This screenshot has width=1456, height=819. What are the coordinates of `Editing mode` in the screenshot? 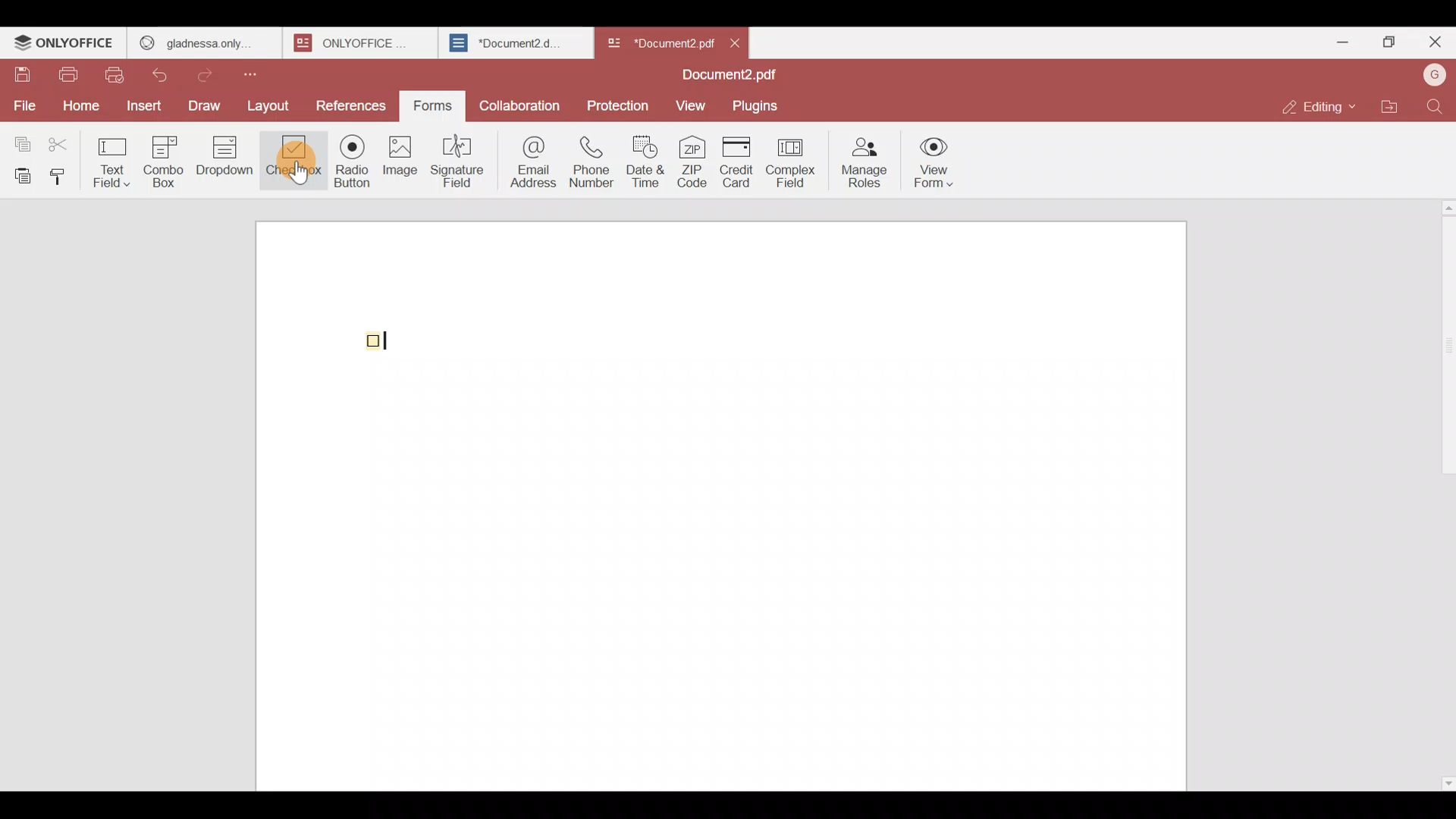 It's located at (1316, 107).